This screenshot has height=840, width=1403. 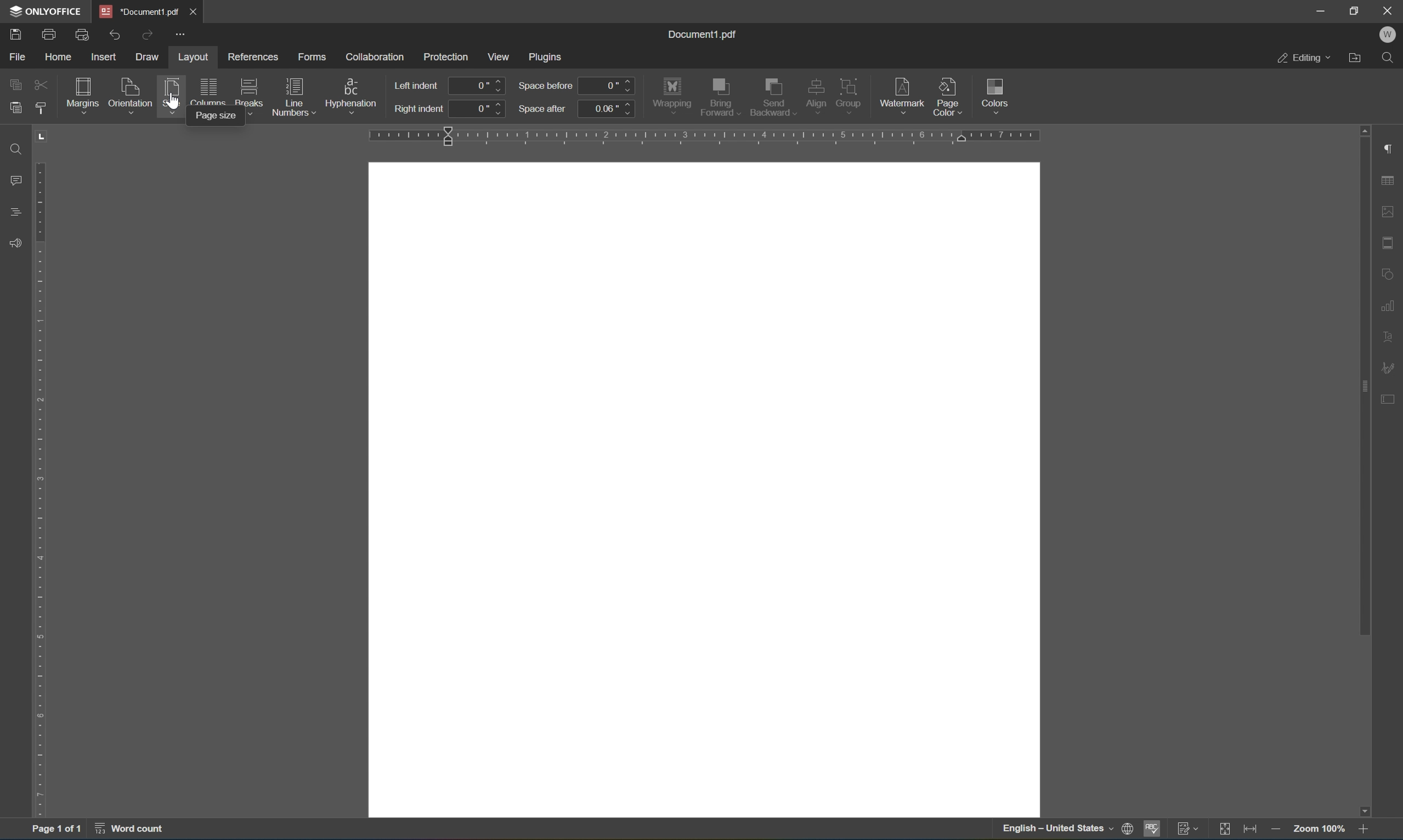 I want to click on zoom 100%, so click(x=1316, y=830).